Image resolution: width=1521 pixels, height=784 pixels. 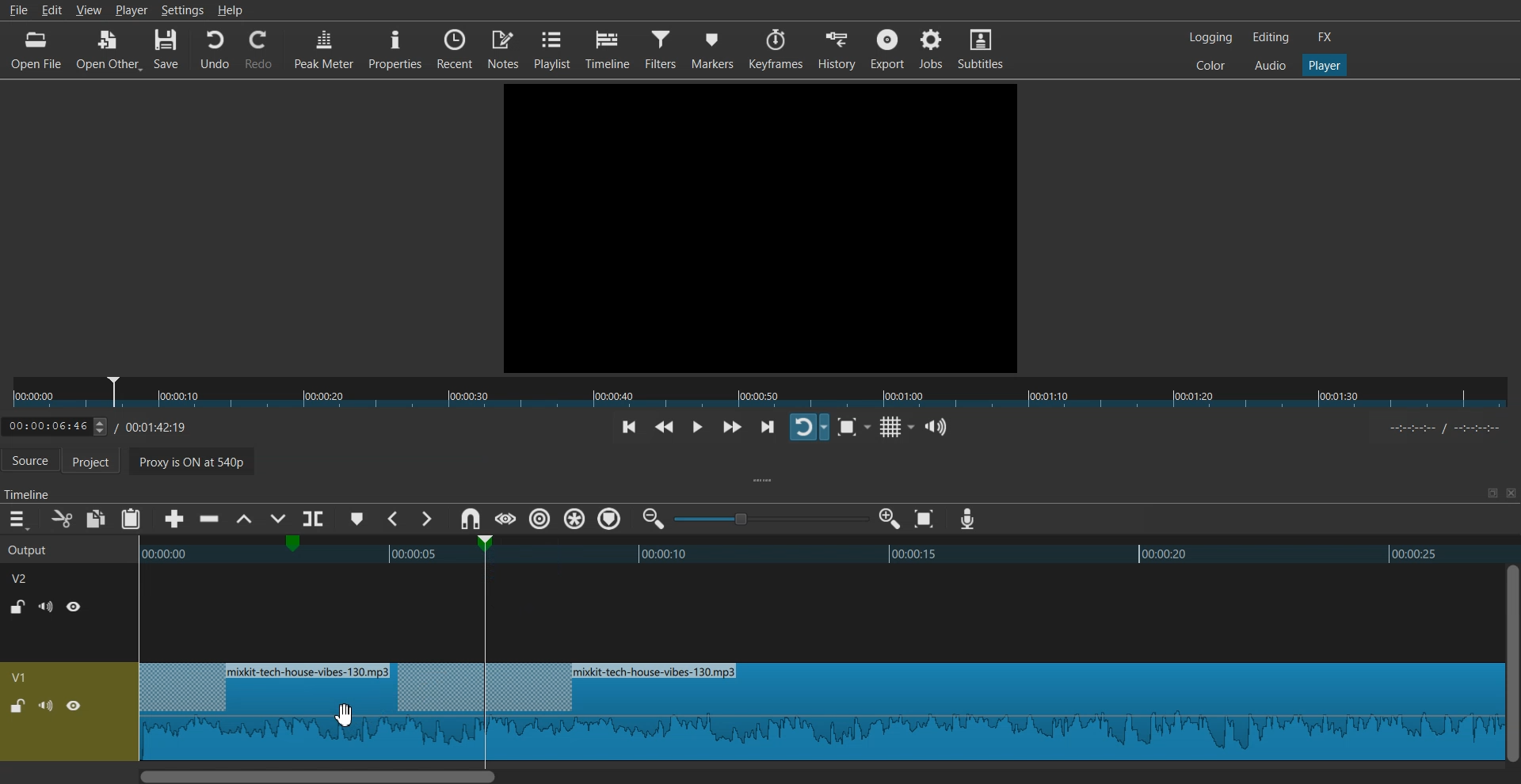 What do you see at coordinates (505, 48) in the screenshot?
I see `Notes` at bounding box center [505, 48].